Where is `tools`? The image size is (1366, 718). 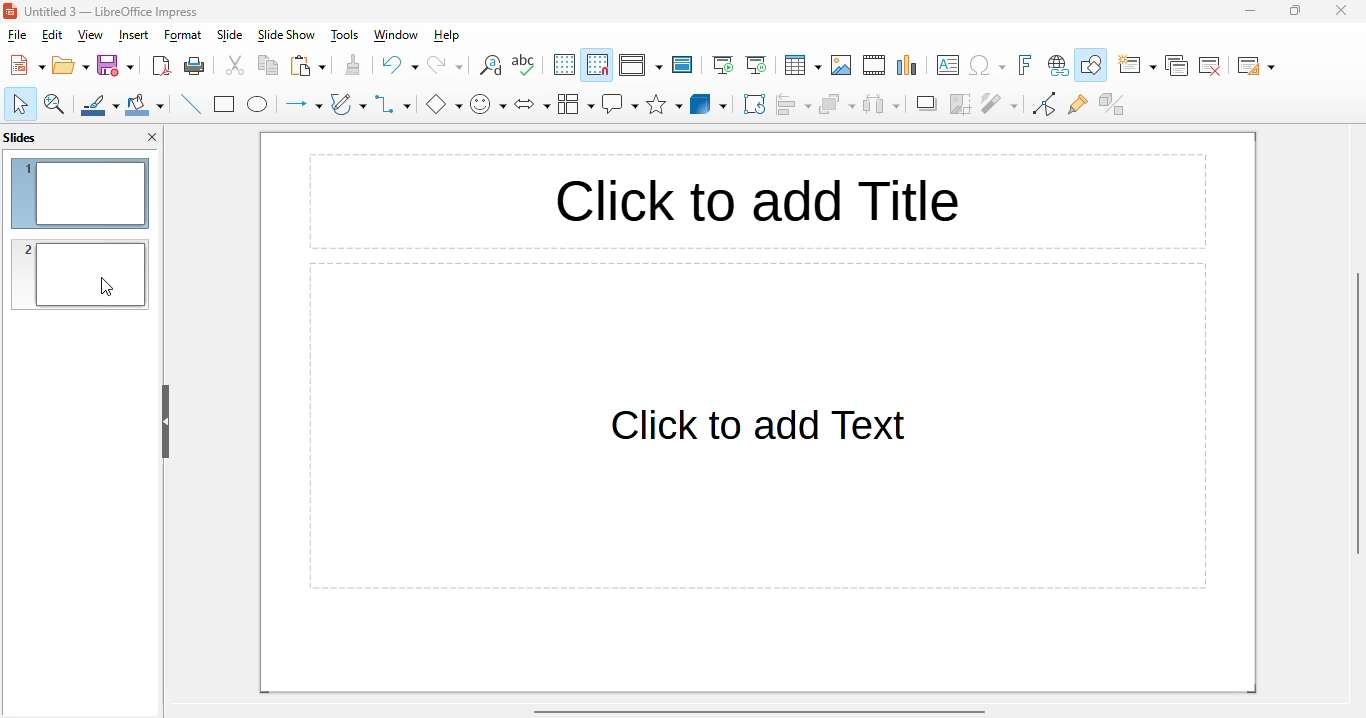 tools is located at coordinates (344, 36).